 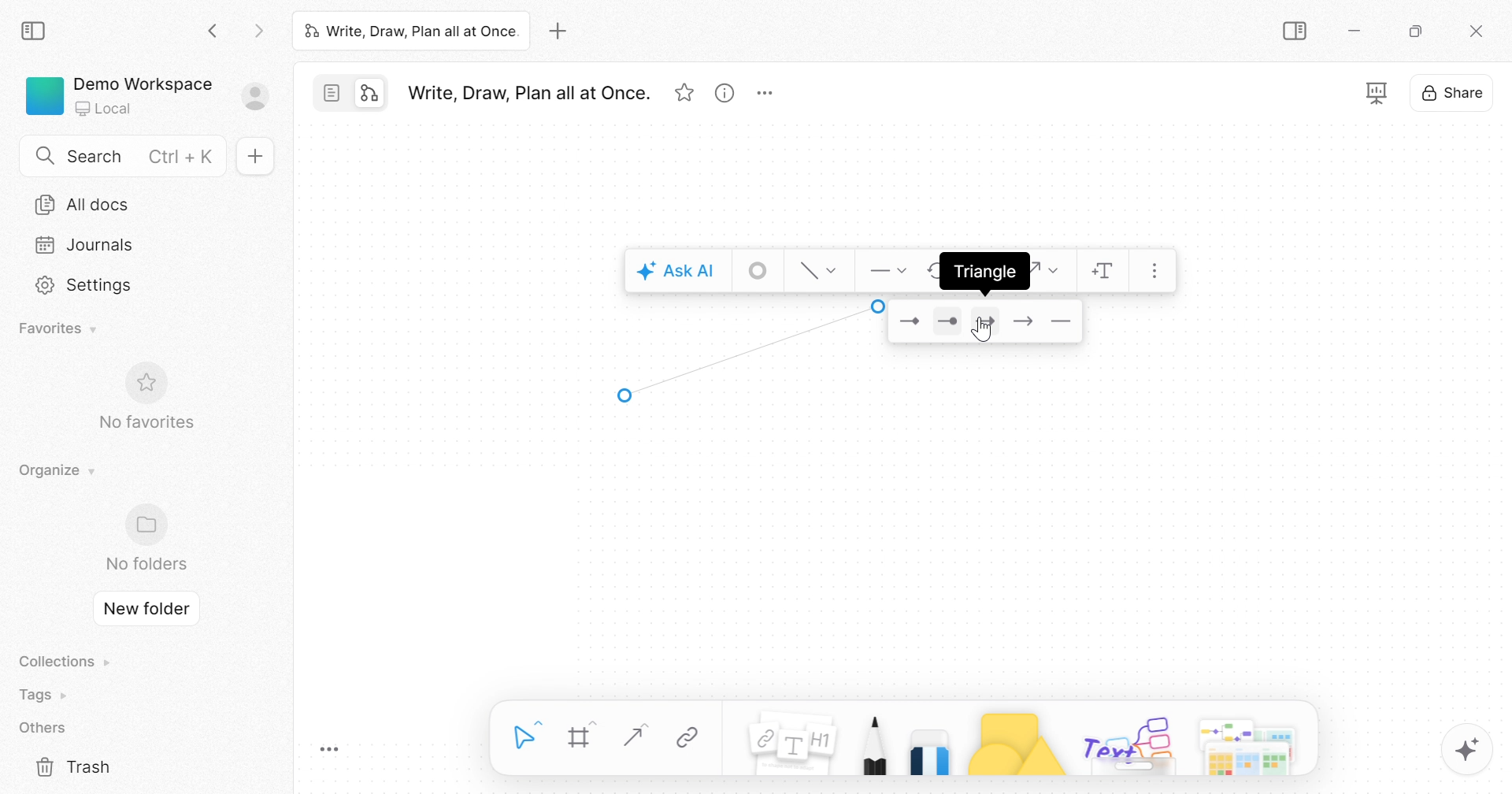 What do you see at coordinates (264, 98) in the screenshot?
I see `Sign in` at bounding box center [264, 98].